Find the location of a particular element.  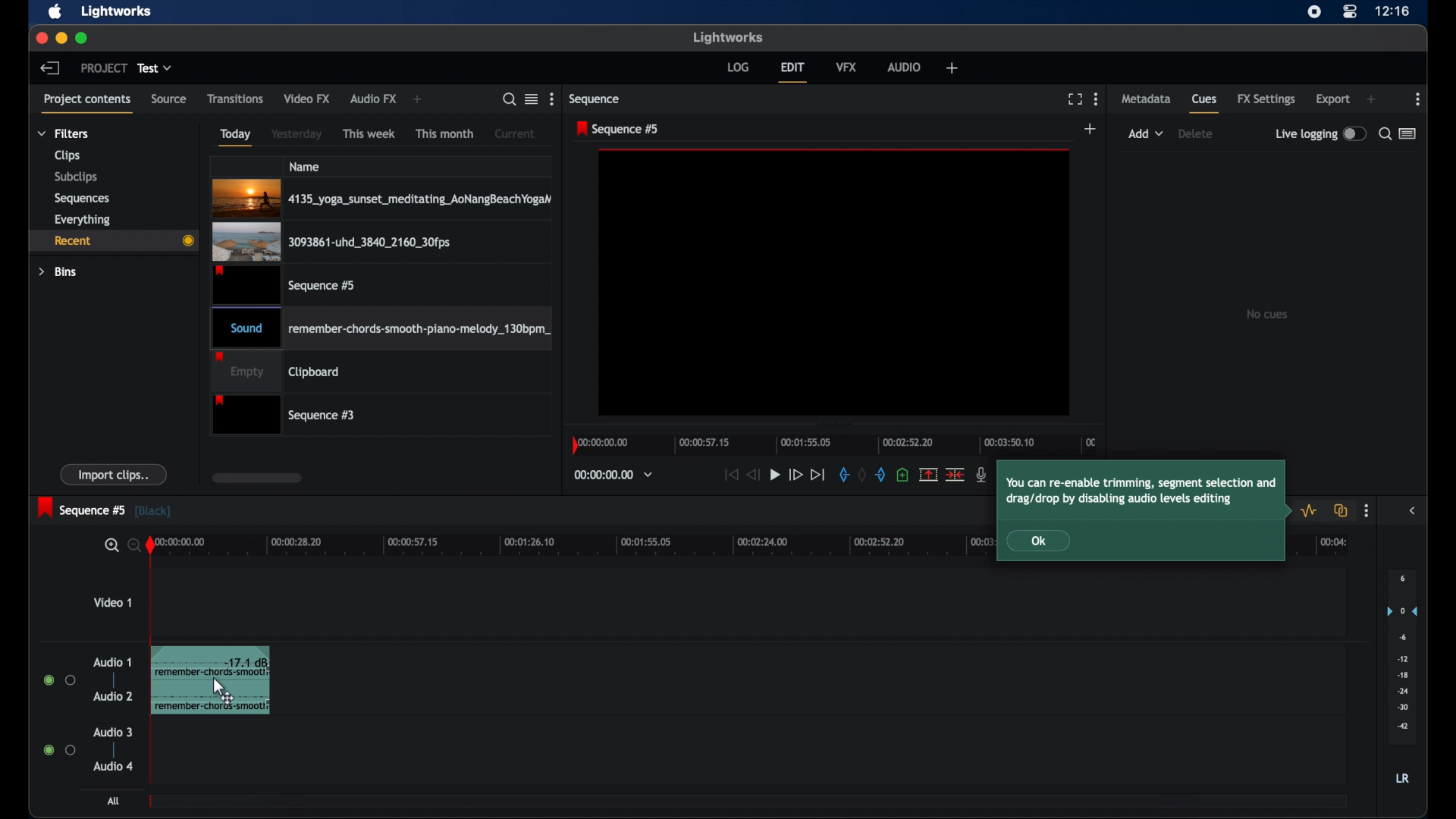

welfare is located at coordinates (952, 68).